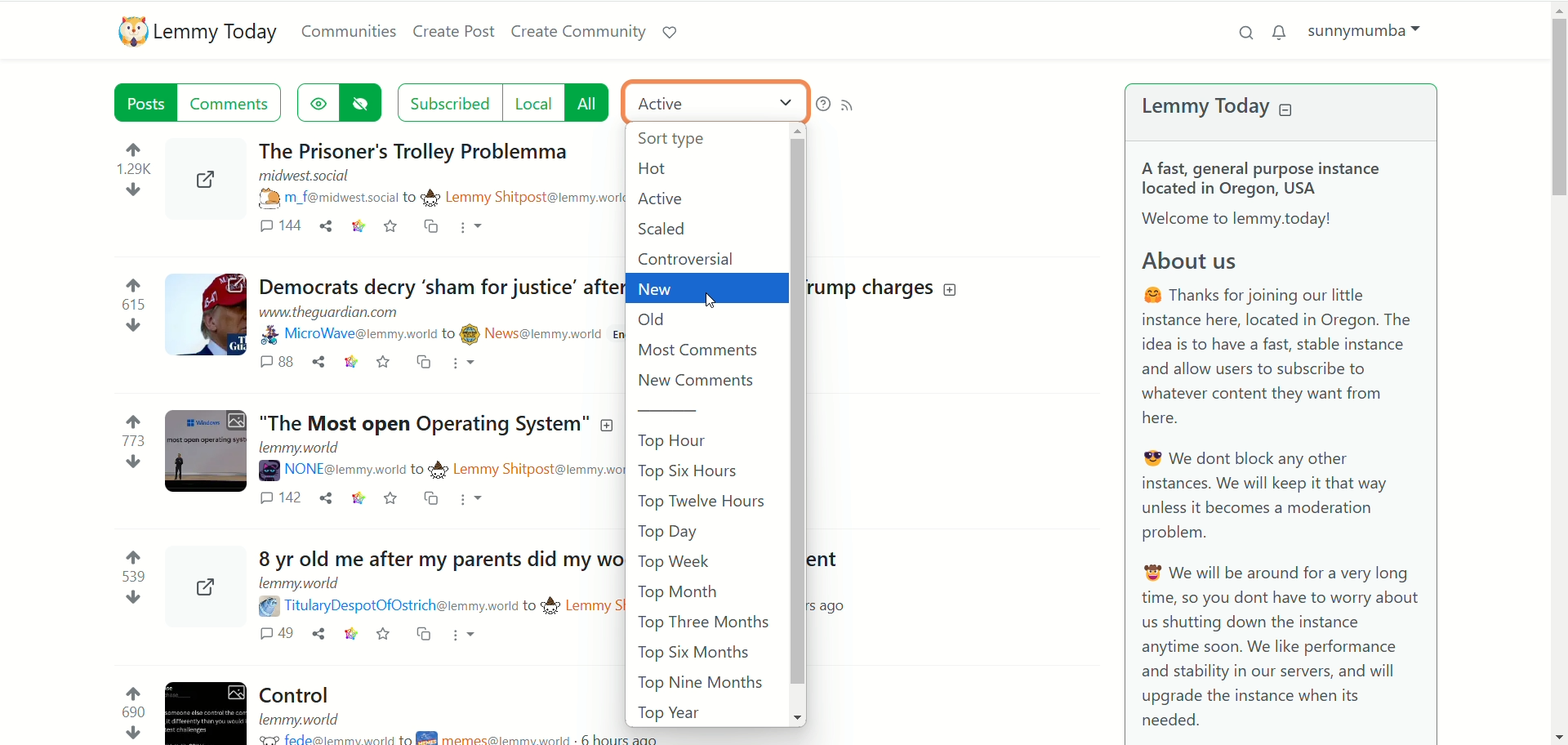 This screenshot has width=1568, height=745. Describe the element at coordinates (443, 606) in the screenshot. I see `TitularyDespotOfOstrich@lemmy.world to Lemmy Shitpost@lemmy.world` at that location.